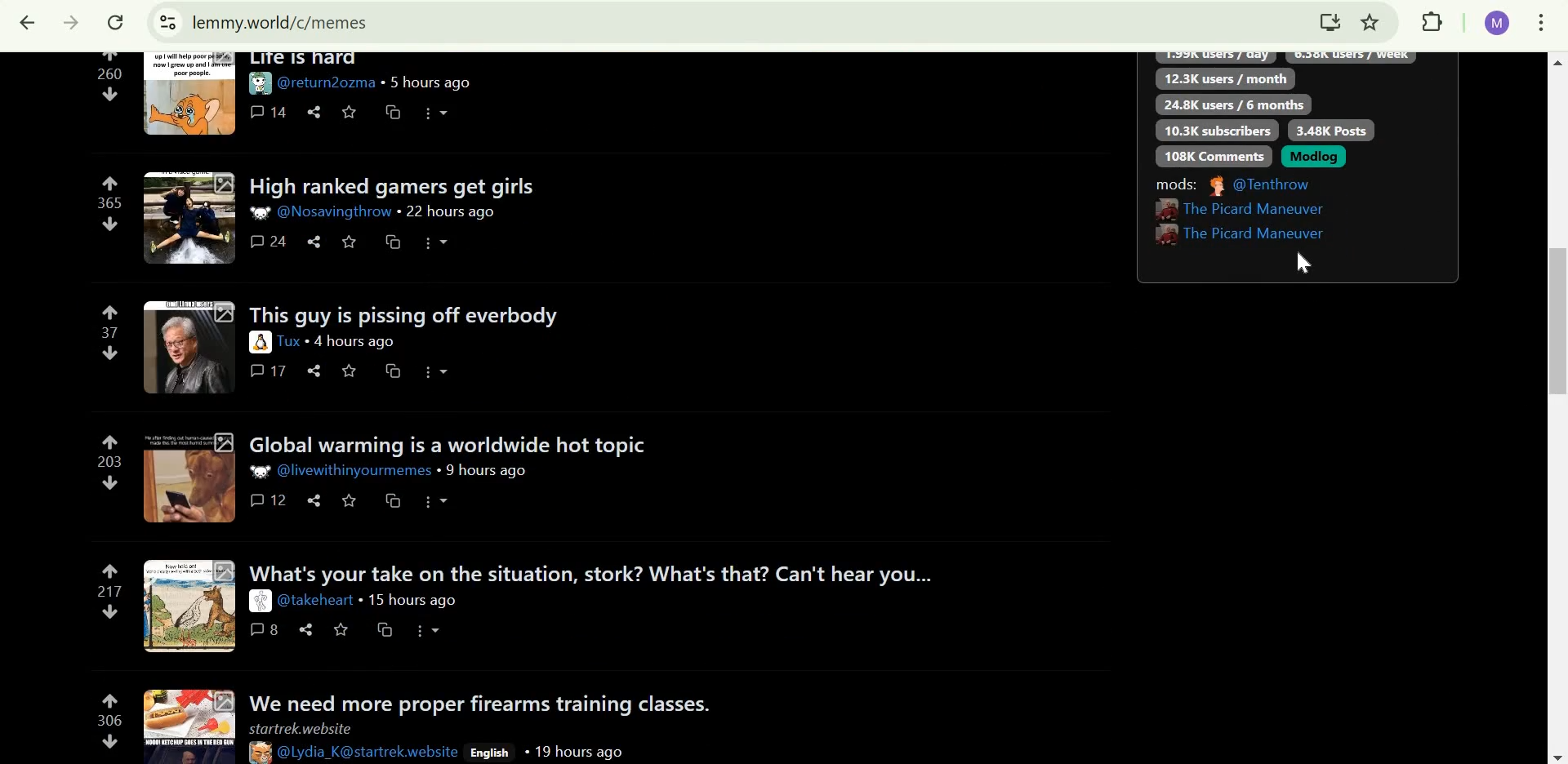 The image size is (1568, 764). I want to click on User ID, so click(332, 213).